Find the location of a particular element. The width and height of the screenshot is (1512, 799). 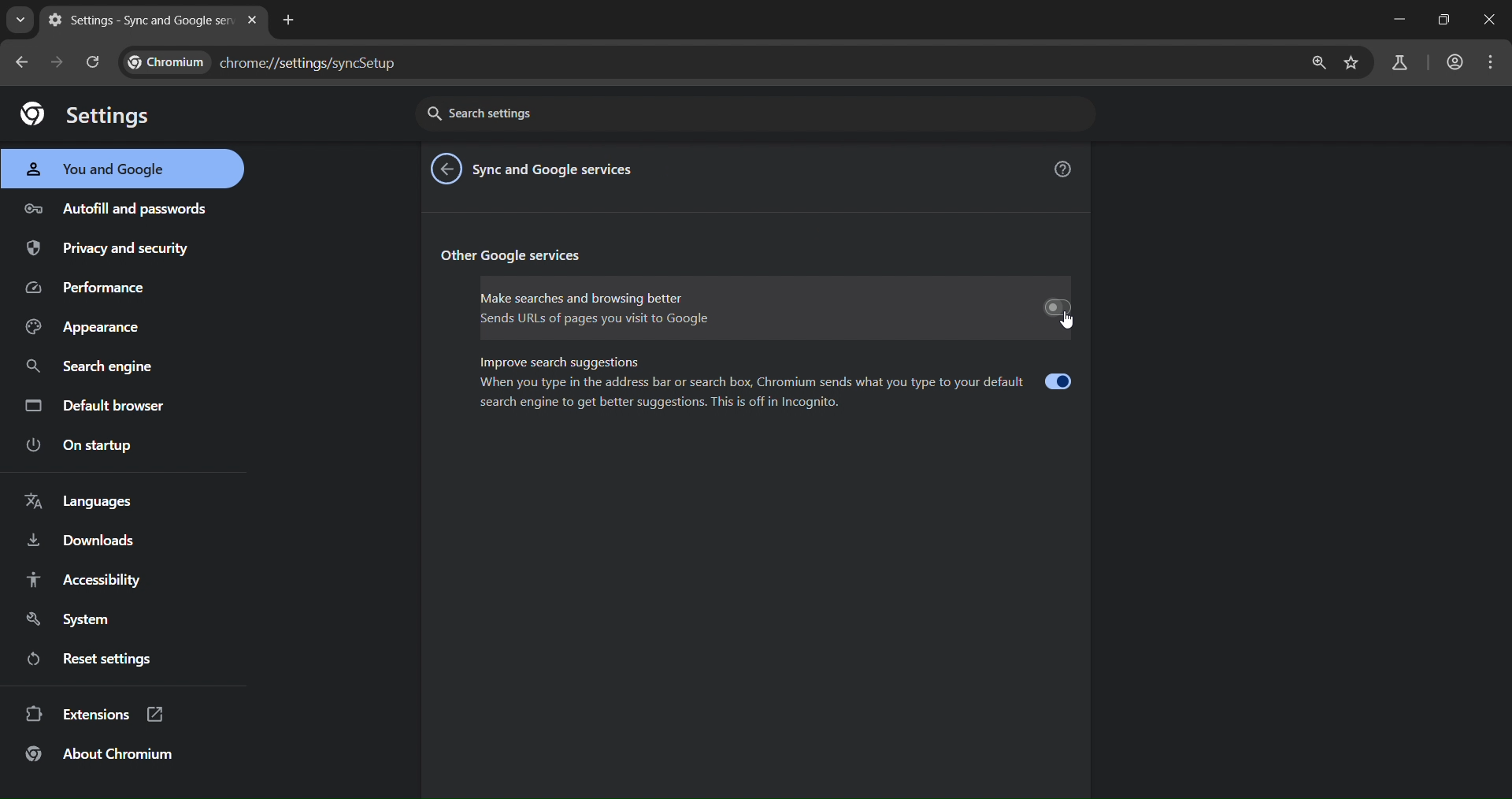

Settings- sync and Google is located at coordinates (139, 22).